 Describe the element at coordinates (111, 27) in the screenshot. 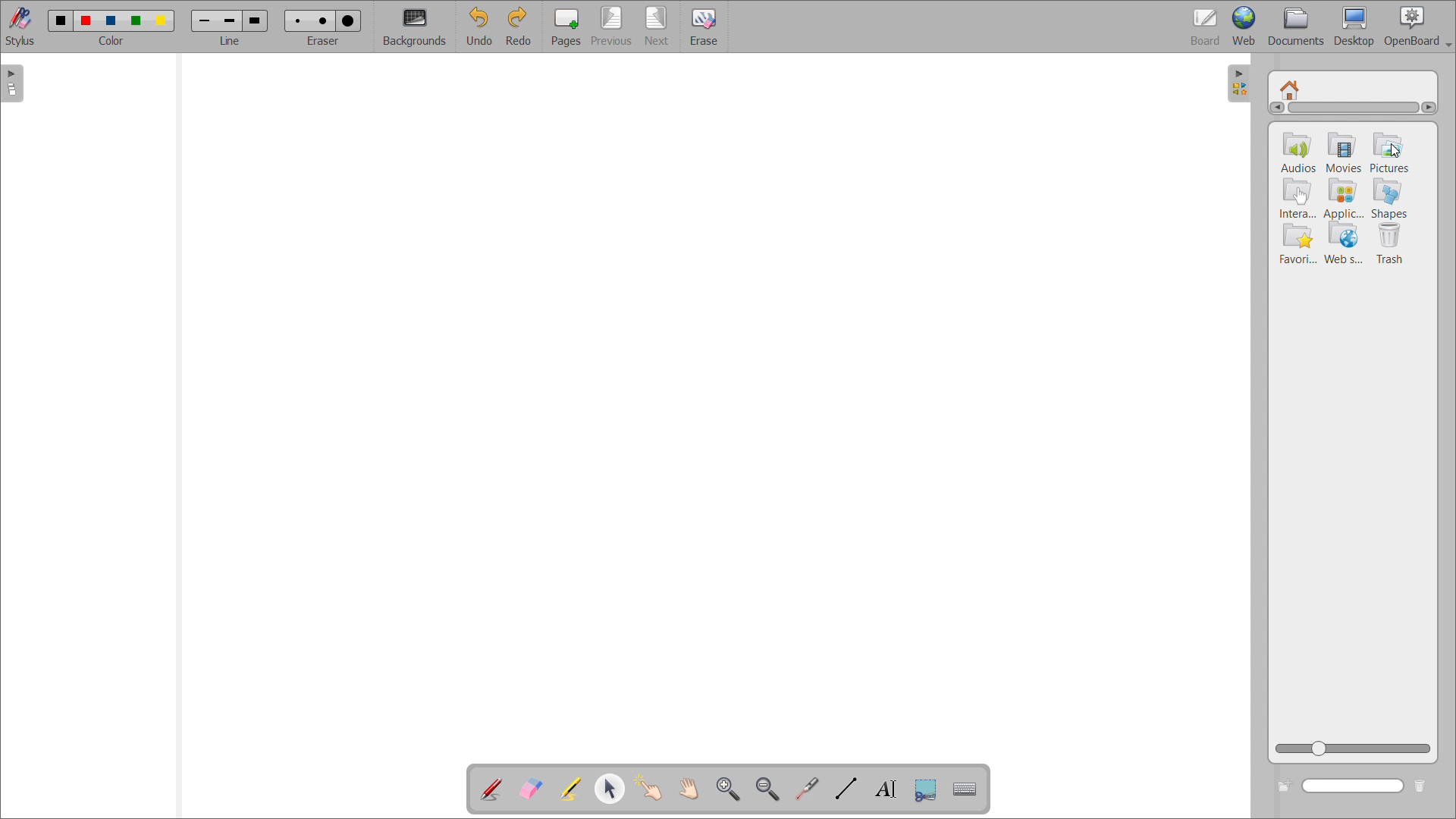

I see `select color` at that location.